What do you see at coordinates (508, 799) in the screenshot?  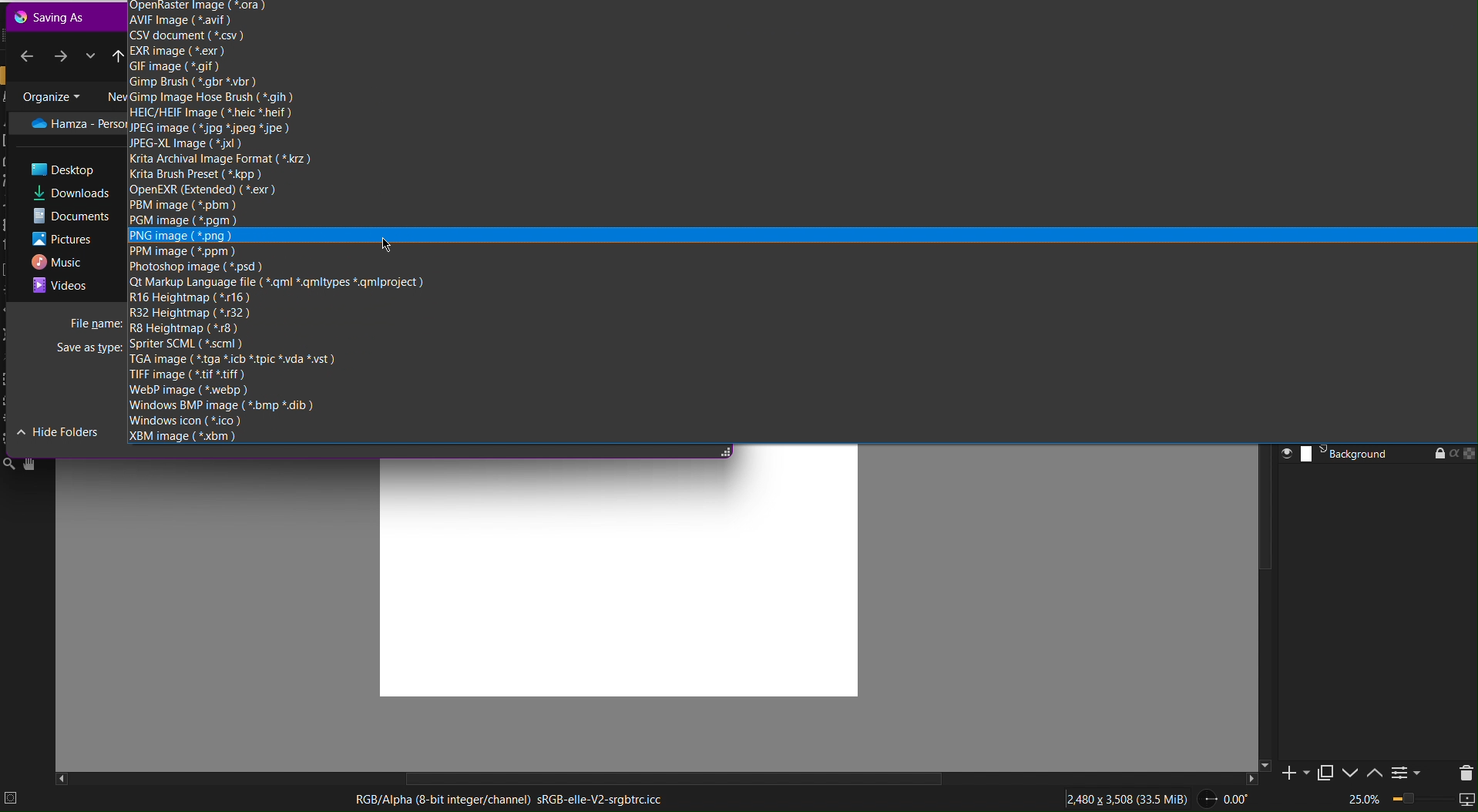 I see `RGB/Alpha (8-bit integer/channel) sRGB-elle-V2-srgbtrc.icc` at bounding box center [508, 799].